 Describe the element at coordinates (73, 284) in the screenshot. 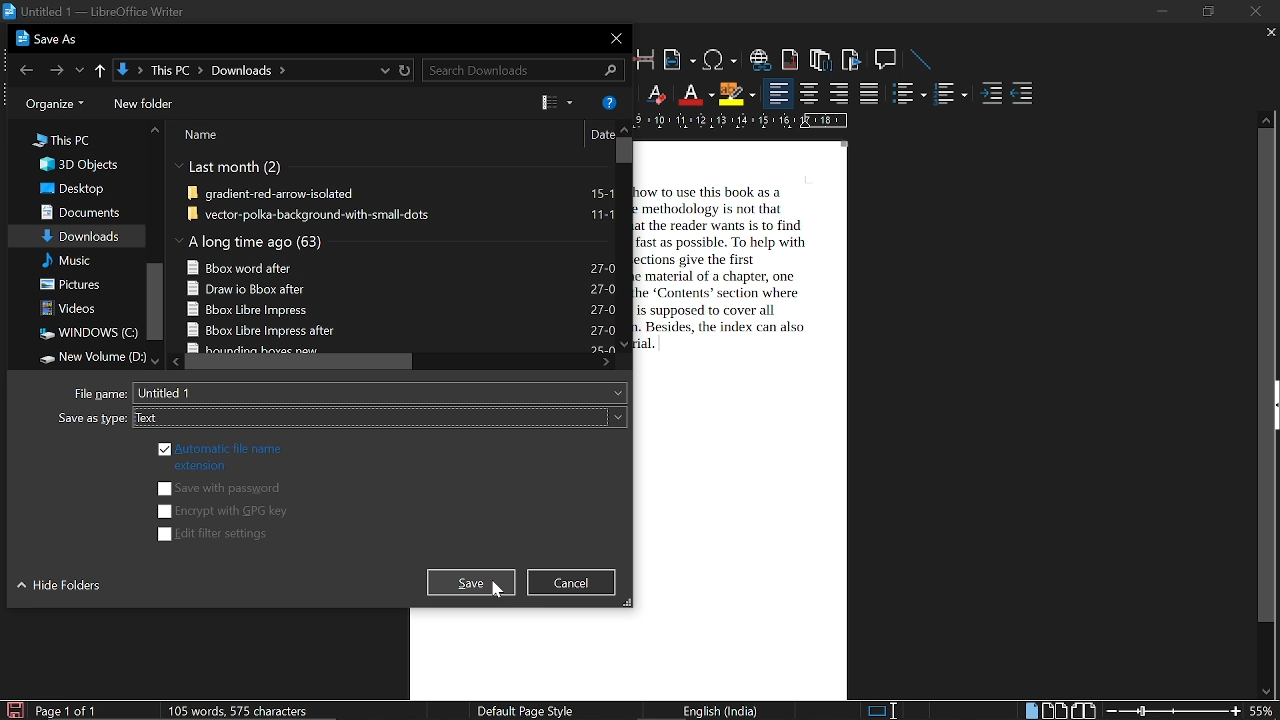

I see `Pictures` at that location.